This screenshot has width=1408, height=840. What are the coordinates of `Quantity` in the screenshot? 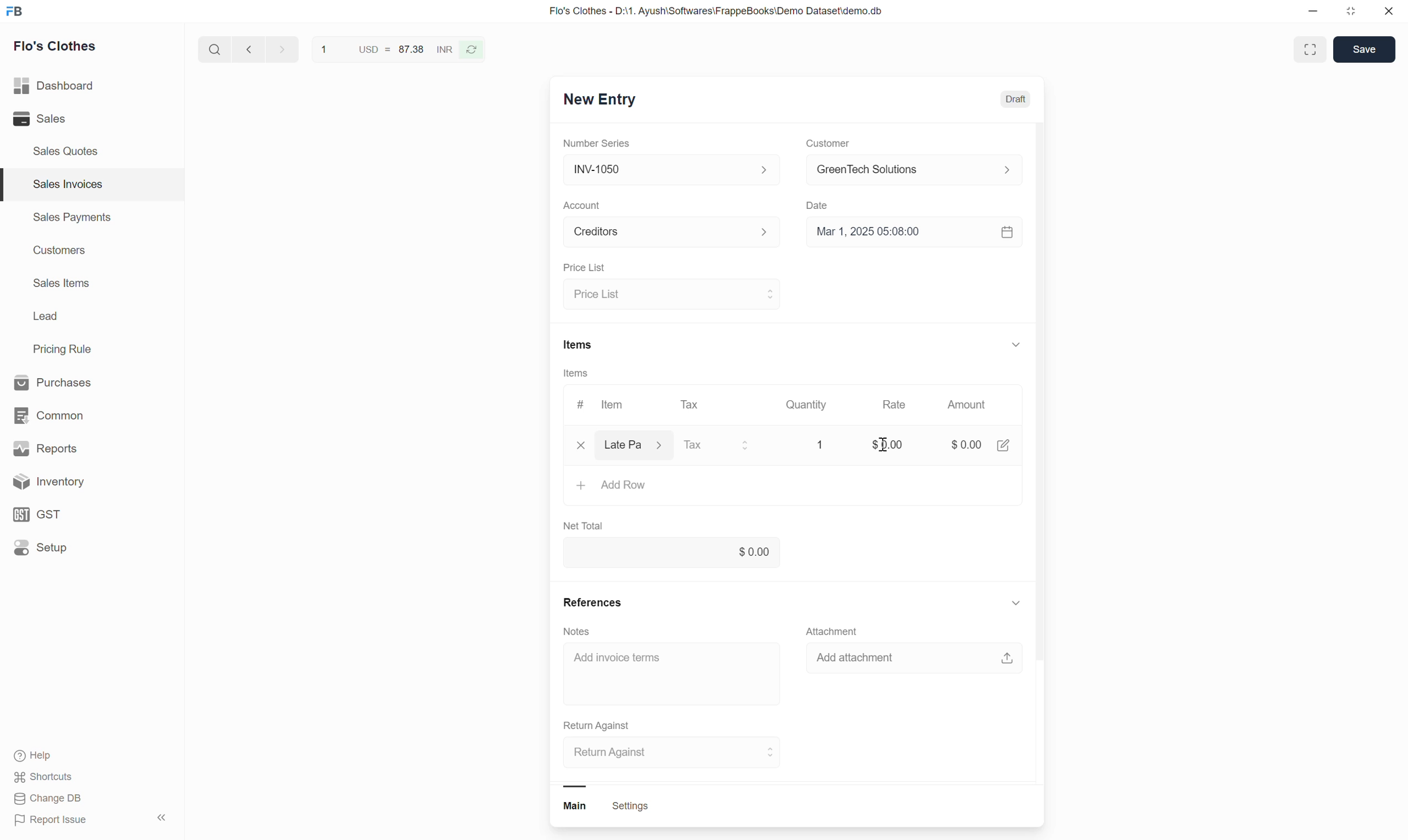 It's located at (821, 444).